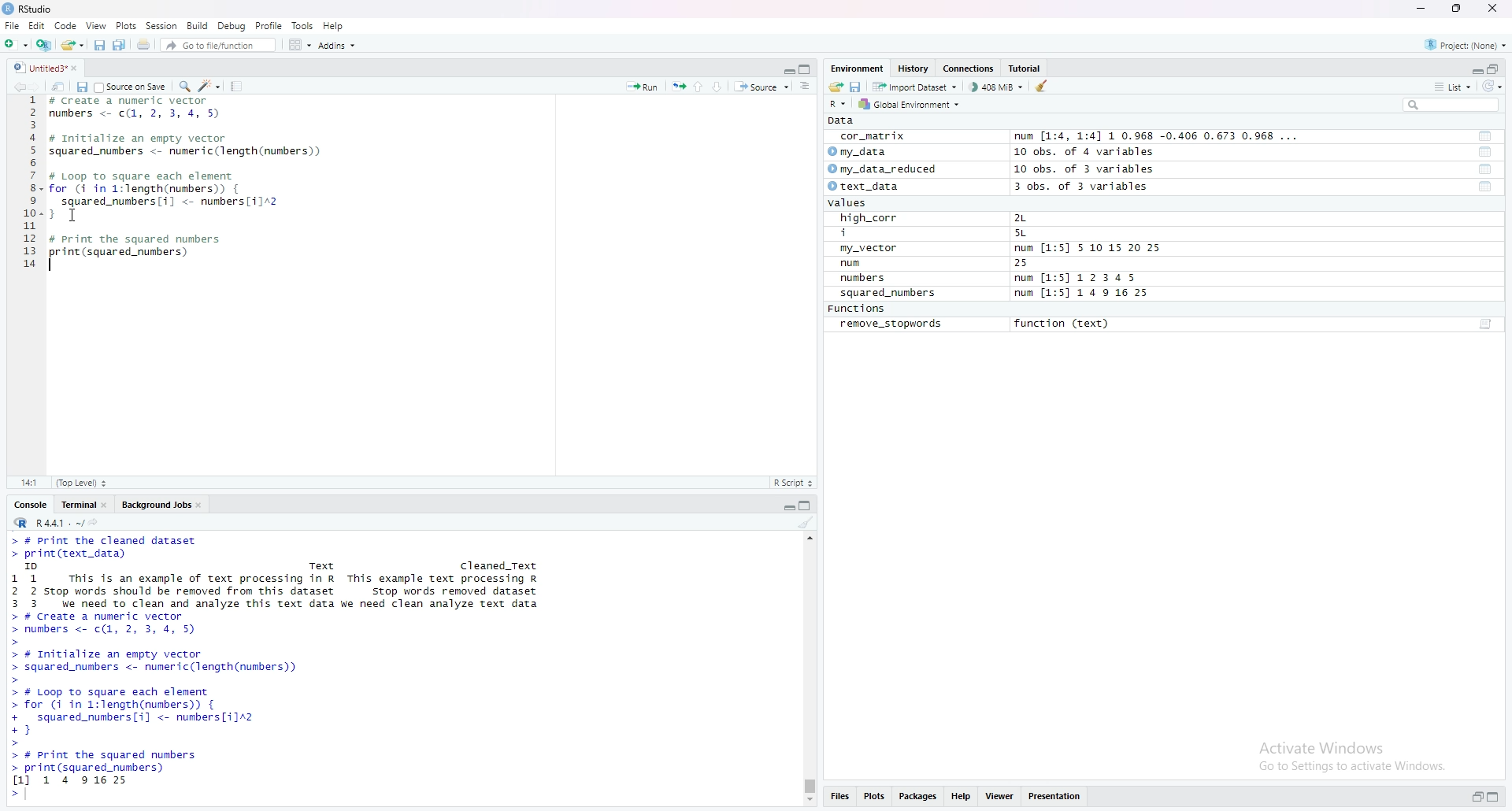  What do you see at coordinates (298, 44) in the screenshot?
I see `Workspace panes` at bounding box center [298, 44].